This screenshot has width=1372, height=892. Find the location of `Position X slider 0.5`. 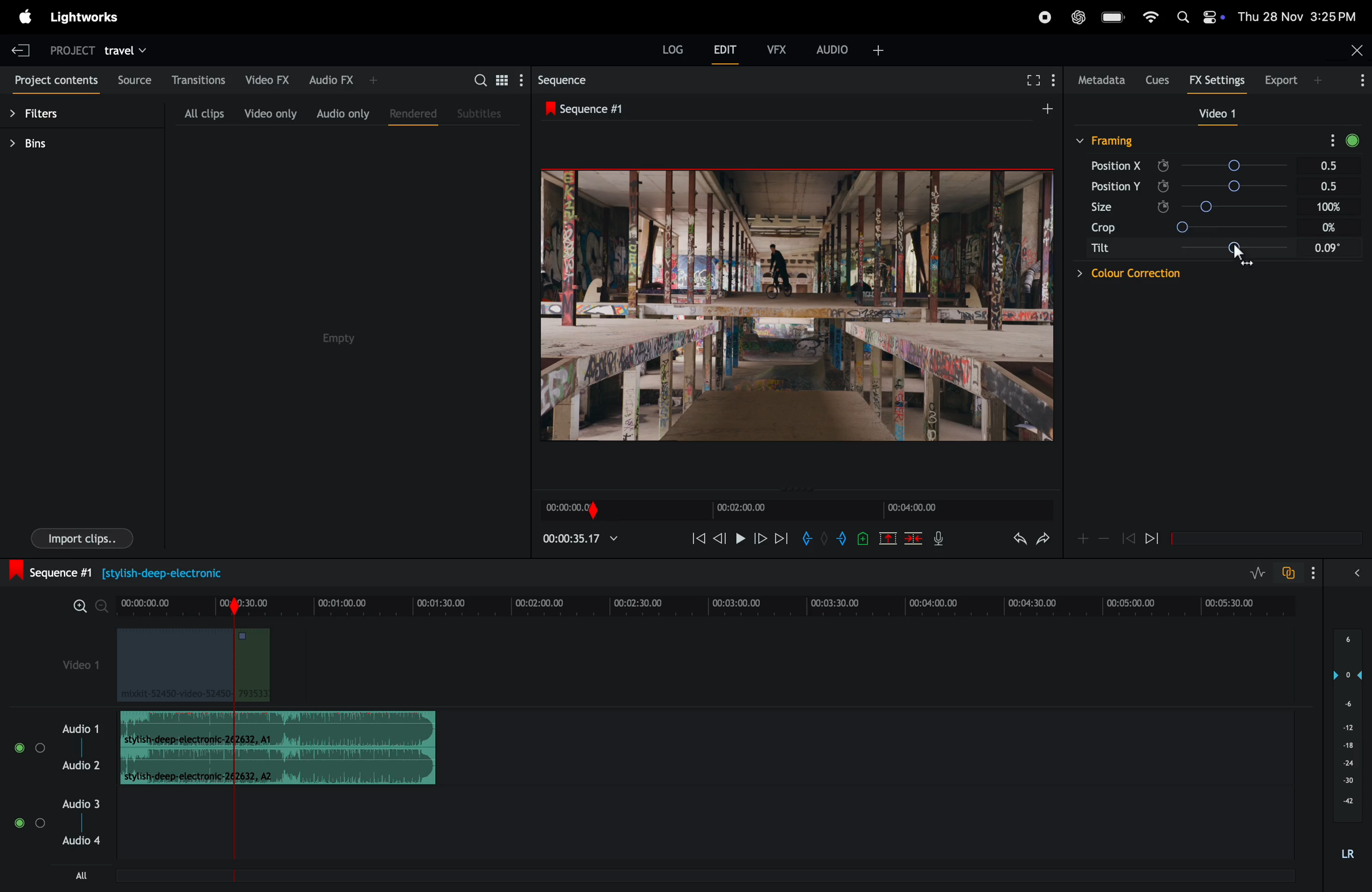

Position X slider 0.5 is located at coordinates (1264, 165).